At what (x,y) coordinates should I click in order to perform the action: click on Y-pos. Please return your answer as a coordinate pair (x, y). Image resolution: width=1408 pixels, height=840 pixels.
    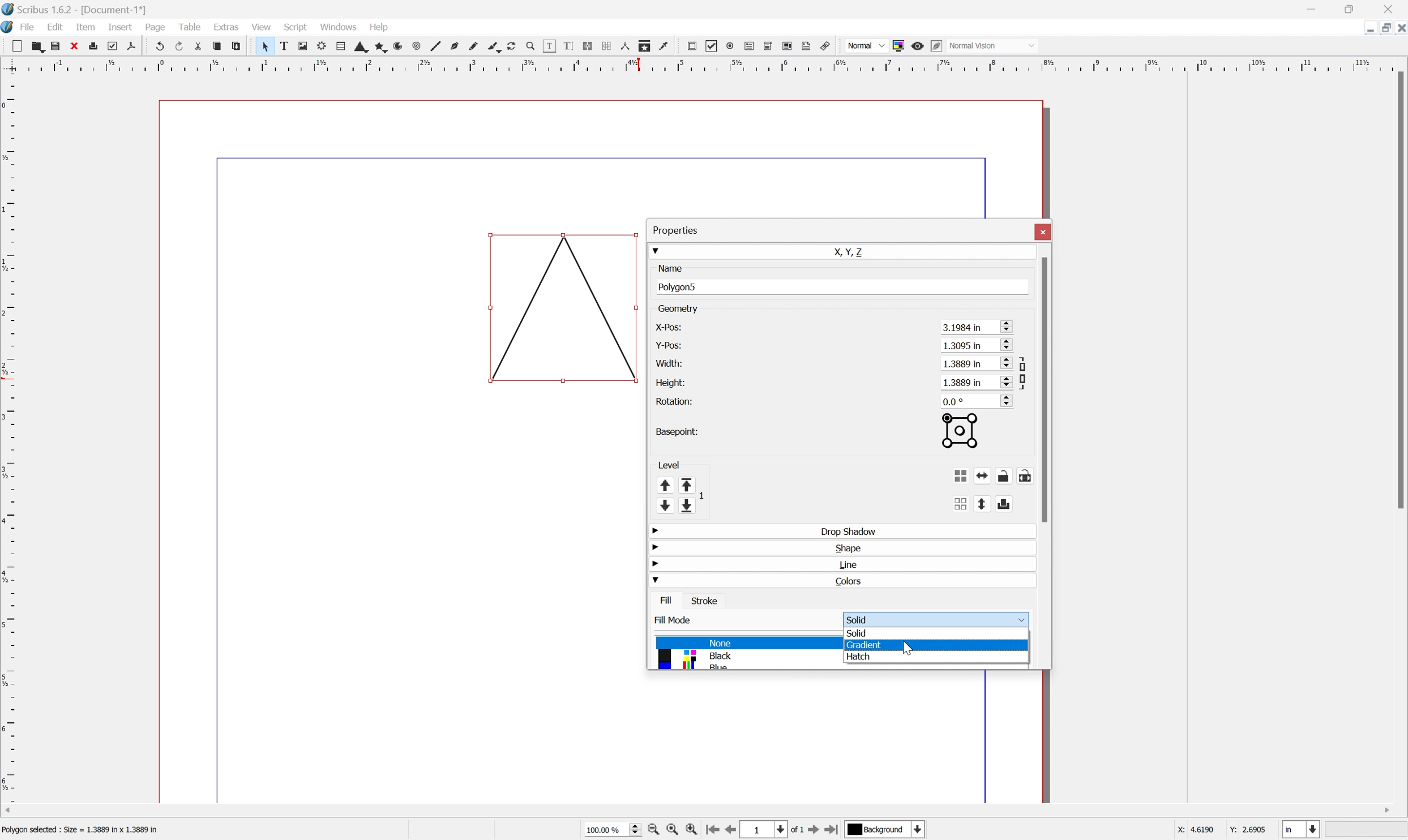
    Looking at the image, I should click on (667, 344).